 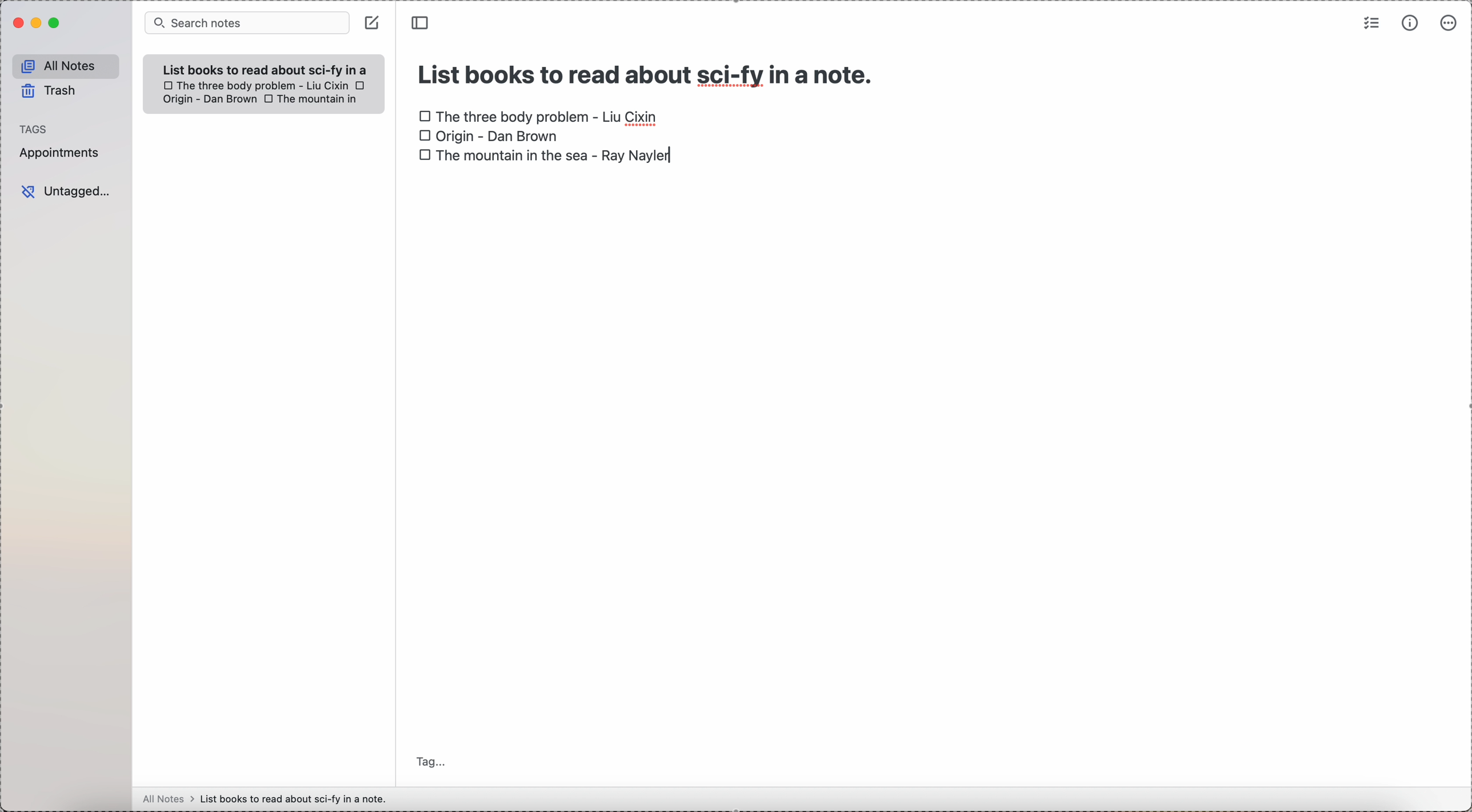 What do you see at coordinates (648, 71) in the screenshot?
I see `title: List books to read about sci-fy in a note.` at bounding box center [648, 71].